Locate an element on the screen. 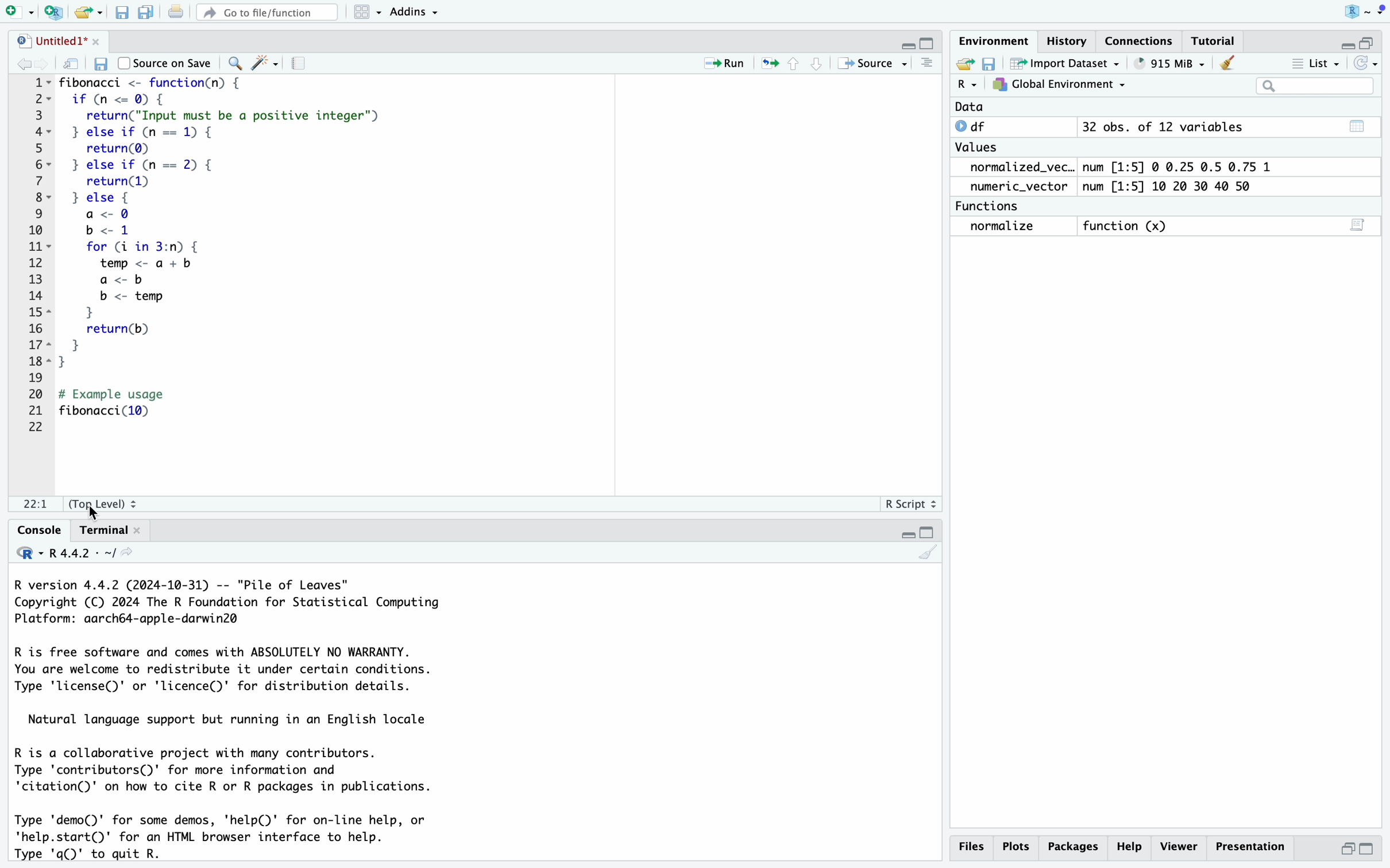 The image size is (1390, 868). R Script is located at coordinates (911, 505).